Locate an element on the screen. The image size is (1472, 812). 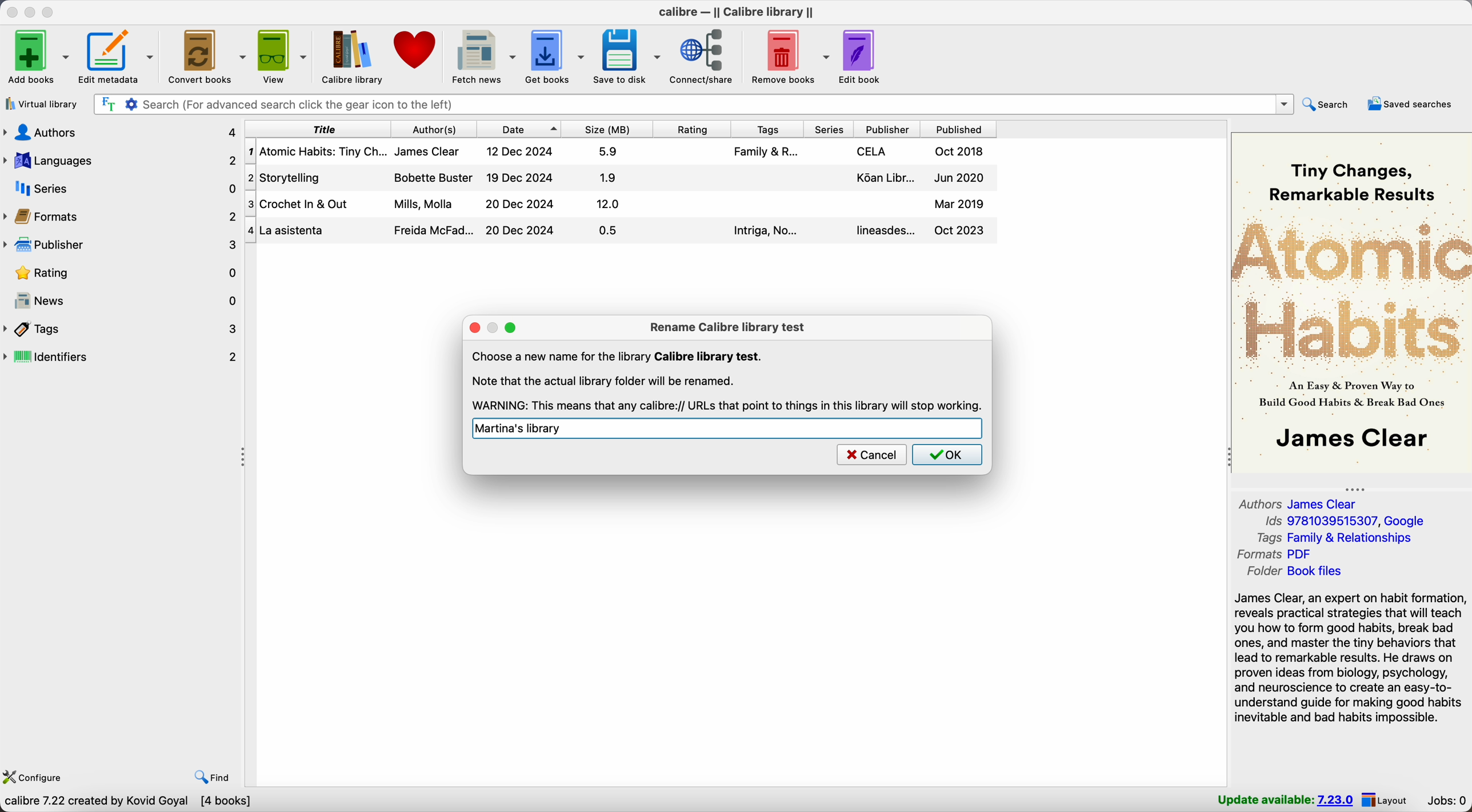
Crochet In & Out book is located at coordinates (623, 205).